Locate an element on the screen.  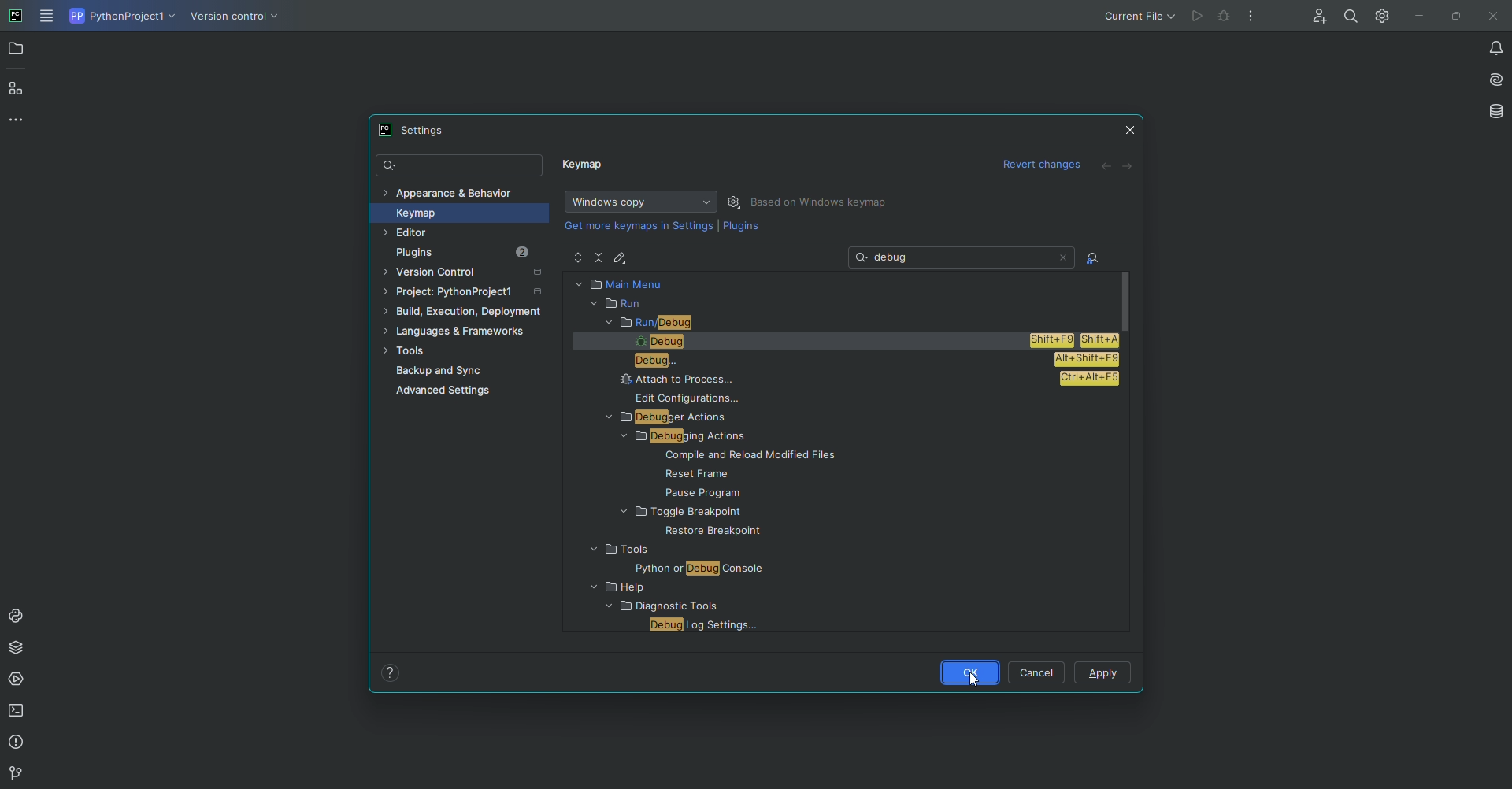
Current file is located at coordinates (1138, 16).